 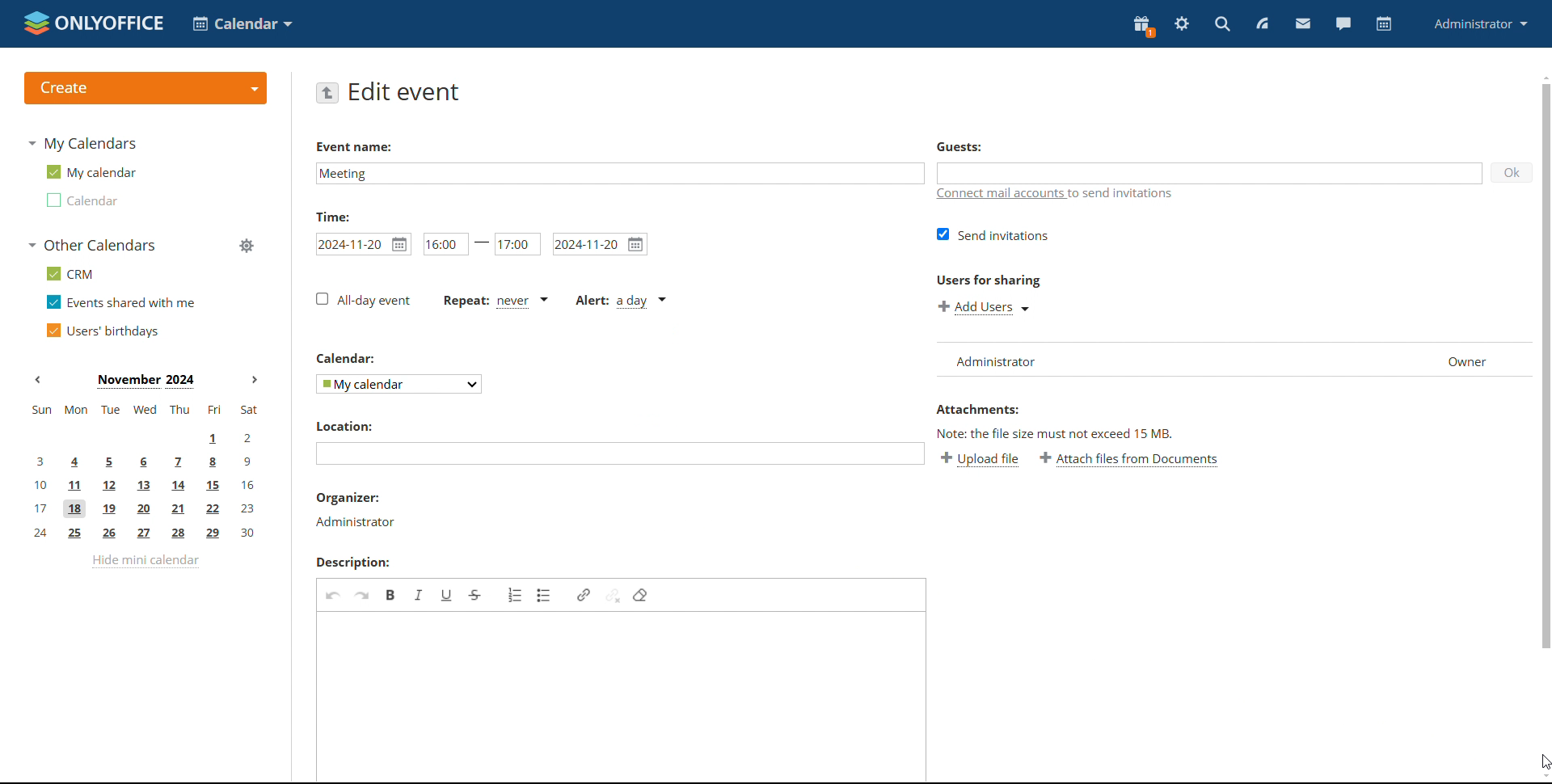 What do you see at coordinates (91, 23) in the screenshot?
I see `logo` at bounding box center [91, 23].